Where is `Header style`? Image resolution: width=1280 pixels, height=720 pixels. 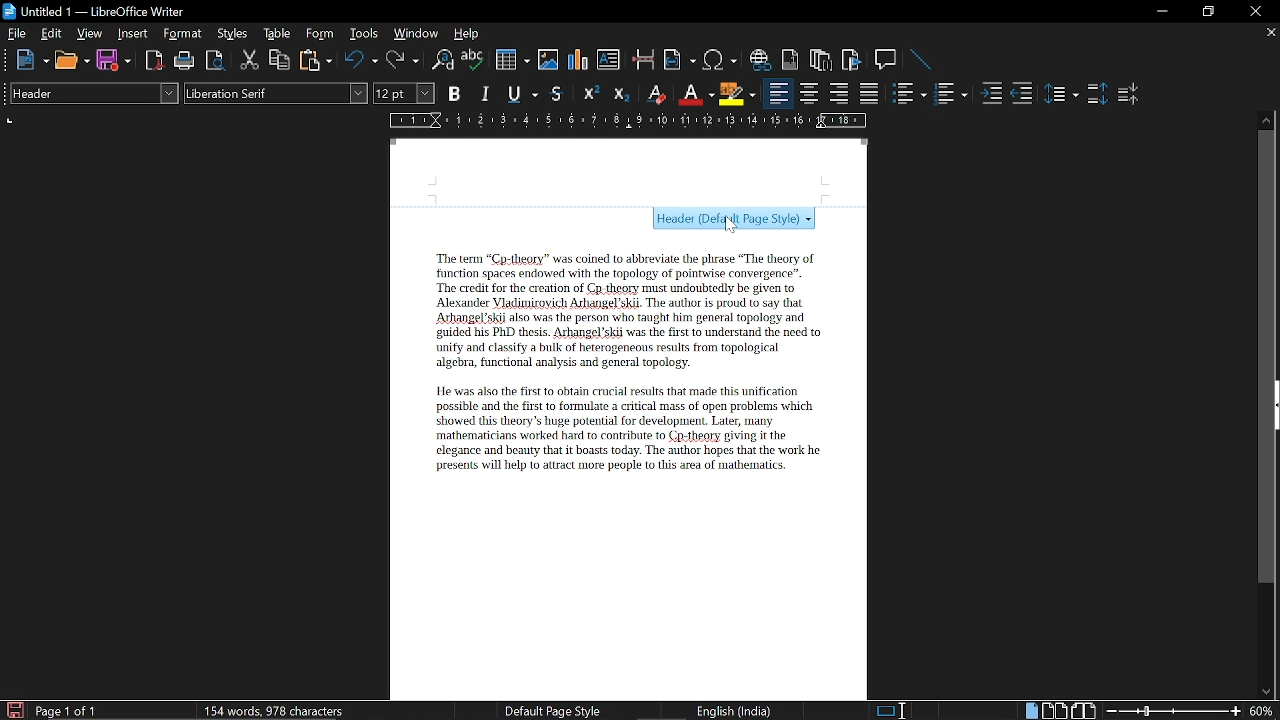 Header style is located at coordinates (730, 221).